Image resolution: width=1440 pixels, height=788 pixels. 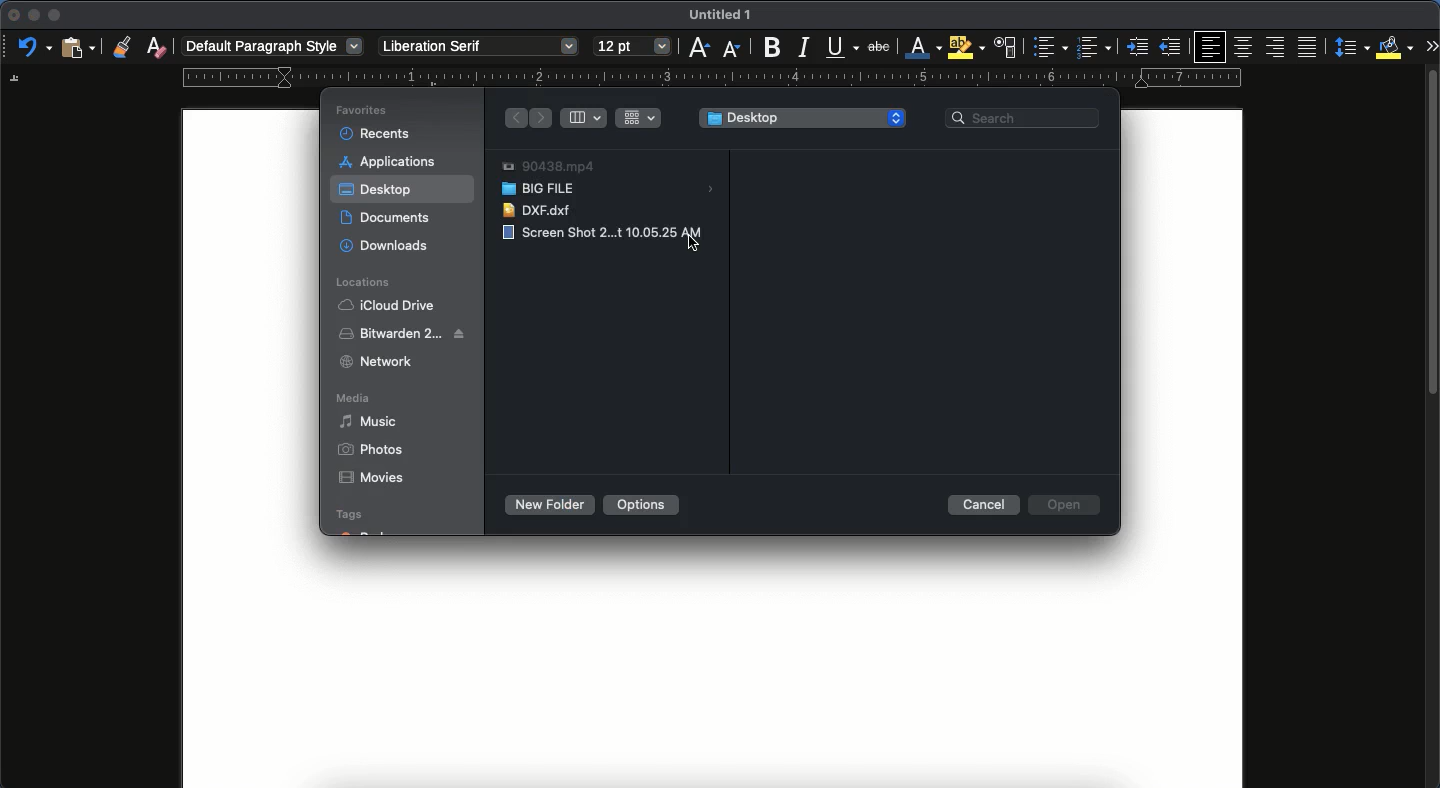 I want to click on paragraph spacing, so click(x=1354, y=49).